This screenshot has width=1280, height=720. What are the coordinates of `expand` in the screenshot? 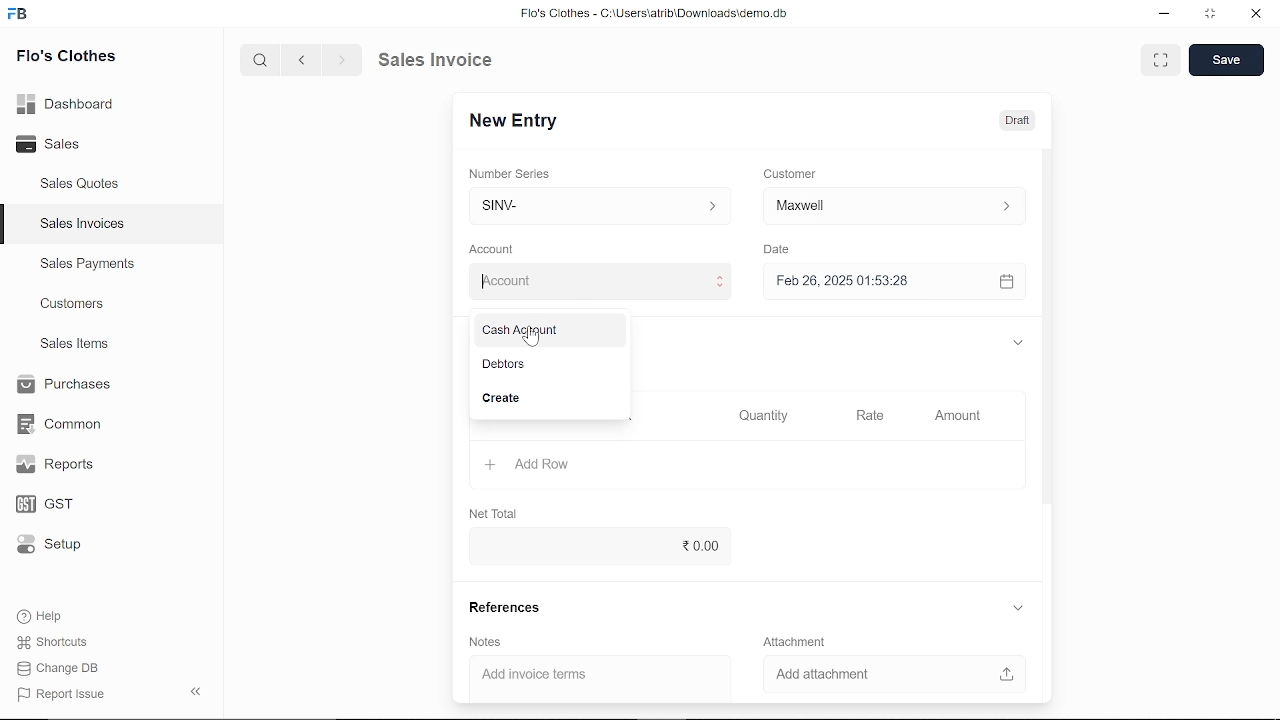 It's located at (1016, 341).